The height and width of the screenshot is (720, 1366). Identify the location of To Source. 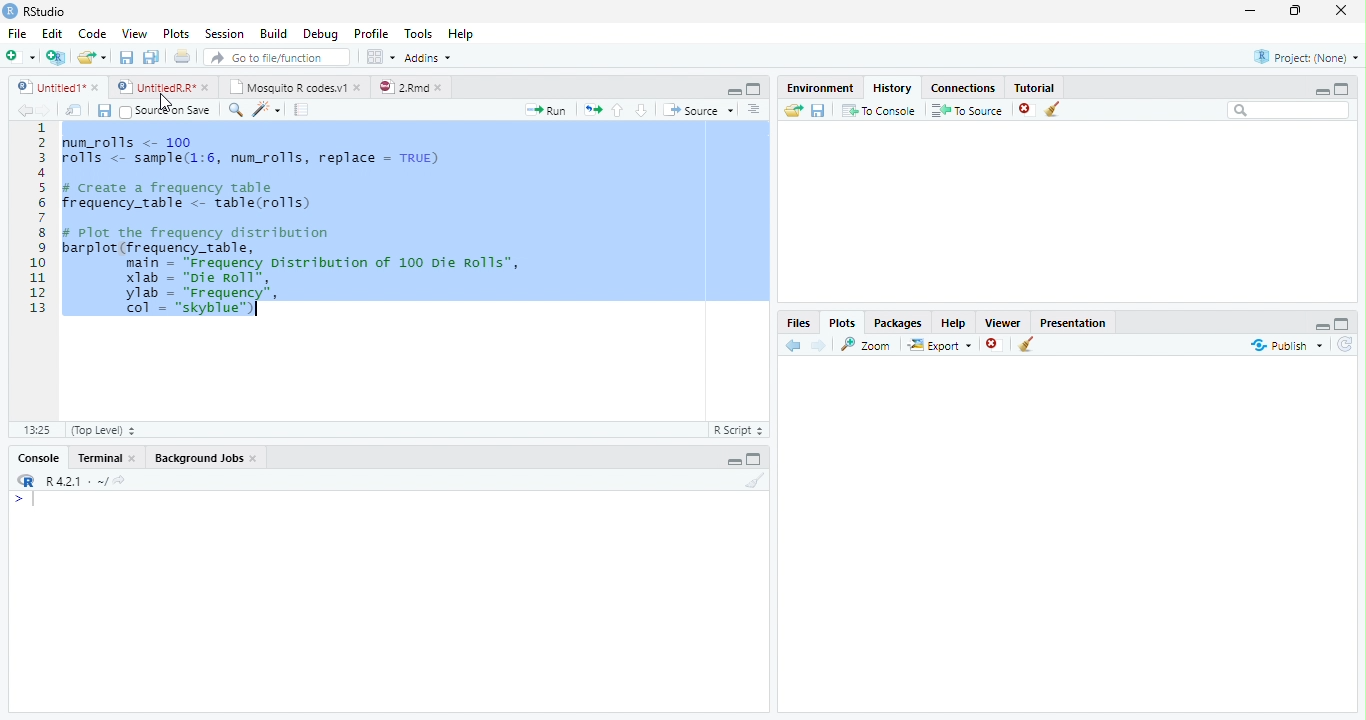
(967, 110).